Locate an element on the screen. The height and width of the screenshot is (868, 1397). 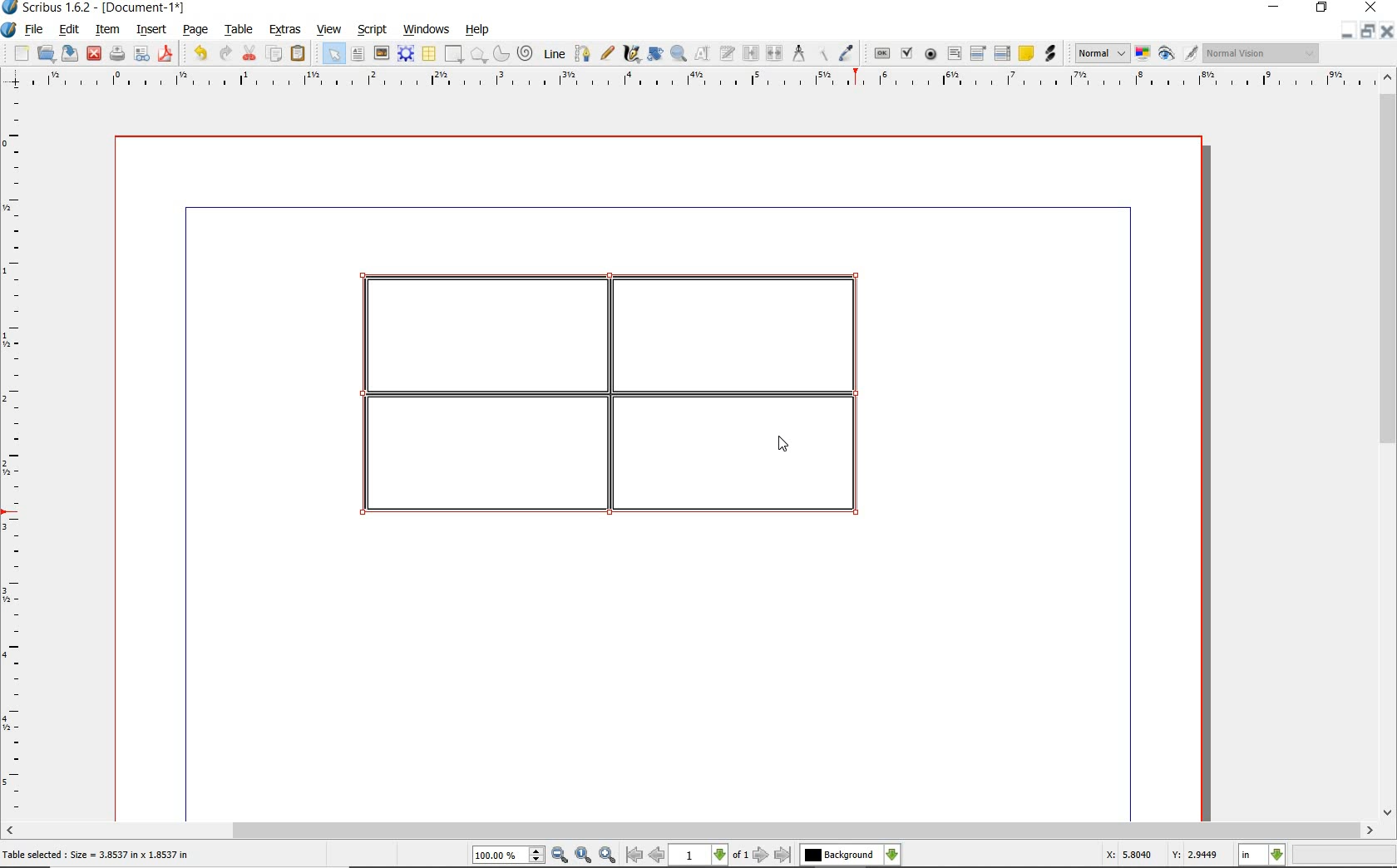
bezier curve is located at coordinates (582, 53).